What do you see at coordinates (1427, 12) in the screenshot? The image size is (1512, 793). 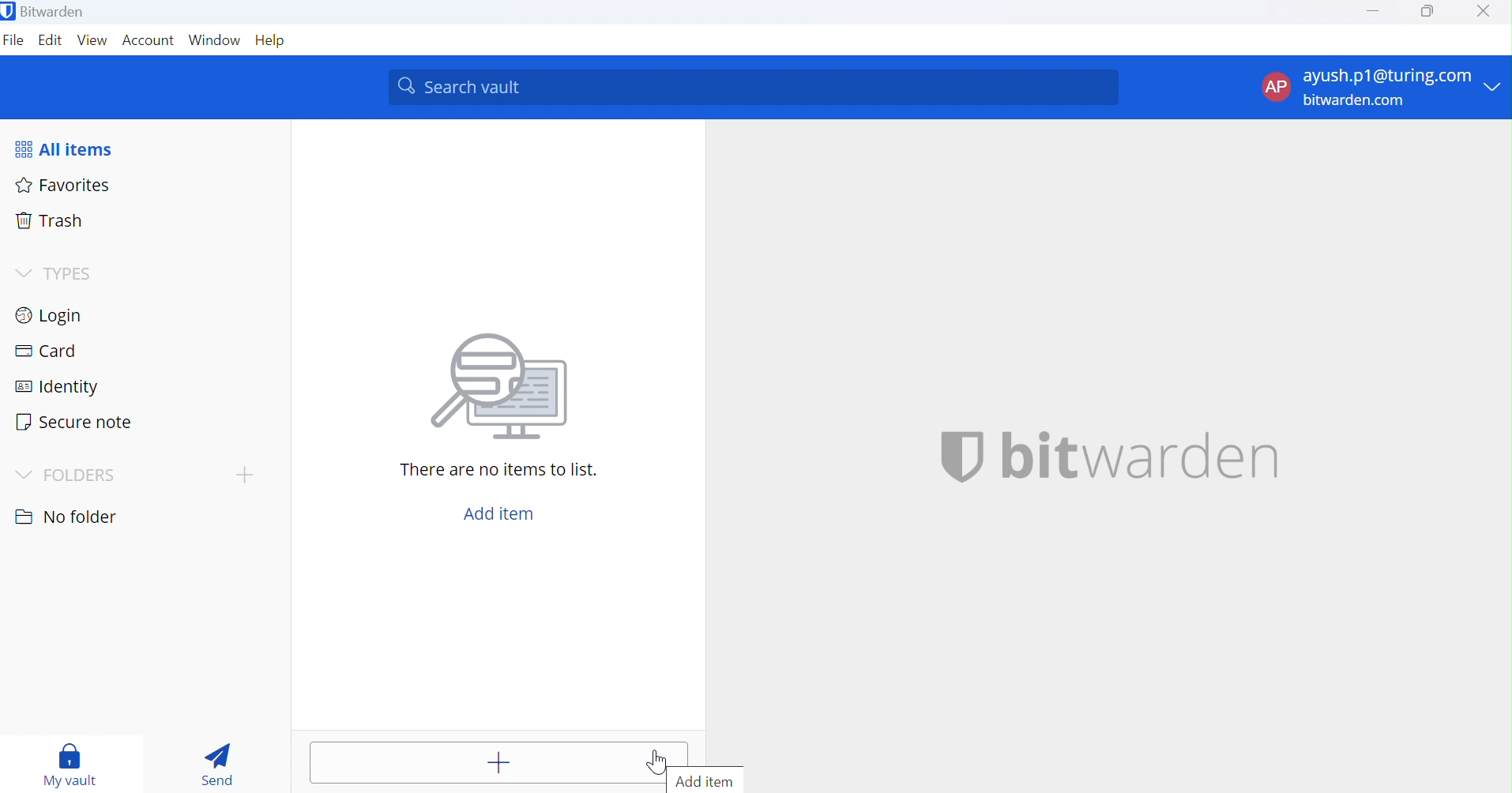 I see `Restore Down` at bounding box center [1427, 12].